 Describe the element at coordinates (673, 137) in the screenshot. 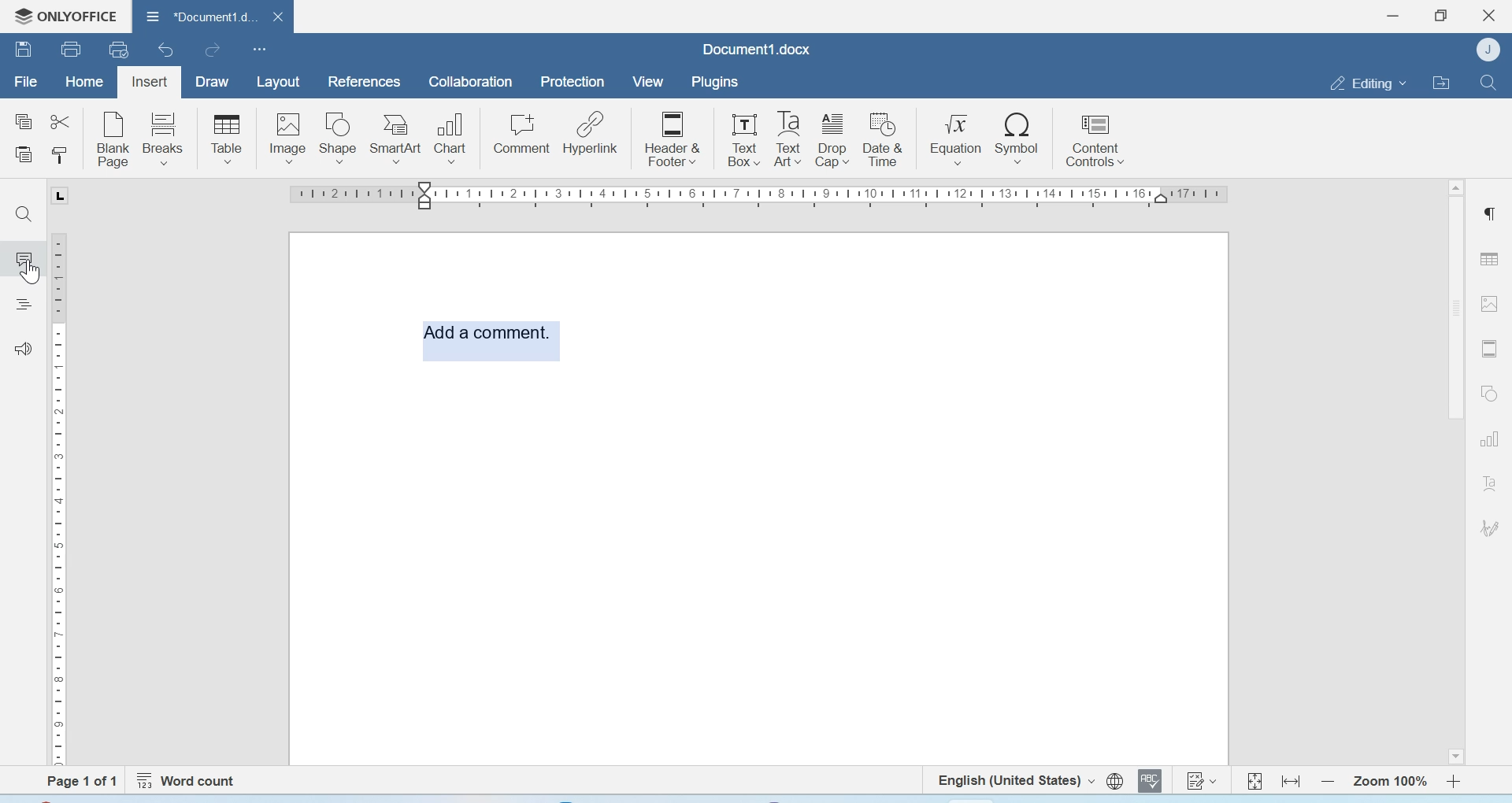

I see `Header & Footer` at that location.